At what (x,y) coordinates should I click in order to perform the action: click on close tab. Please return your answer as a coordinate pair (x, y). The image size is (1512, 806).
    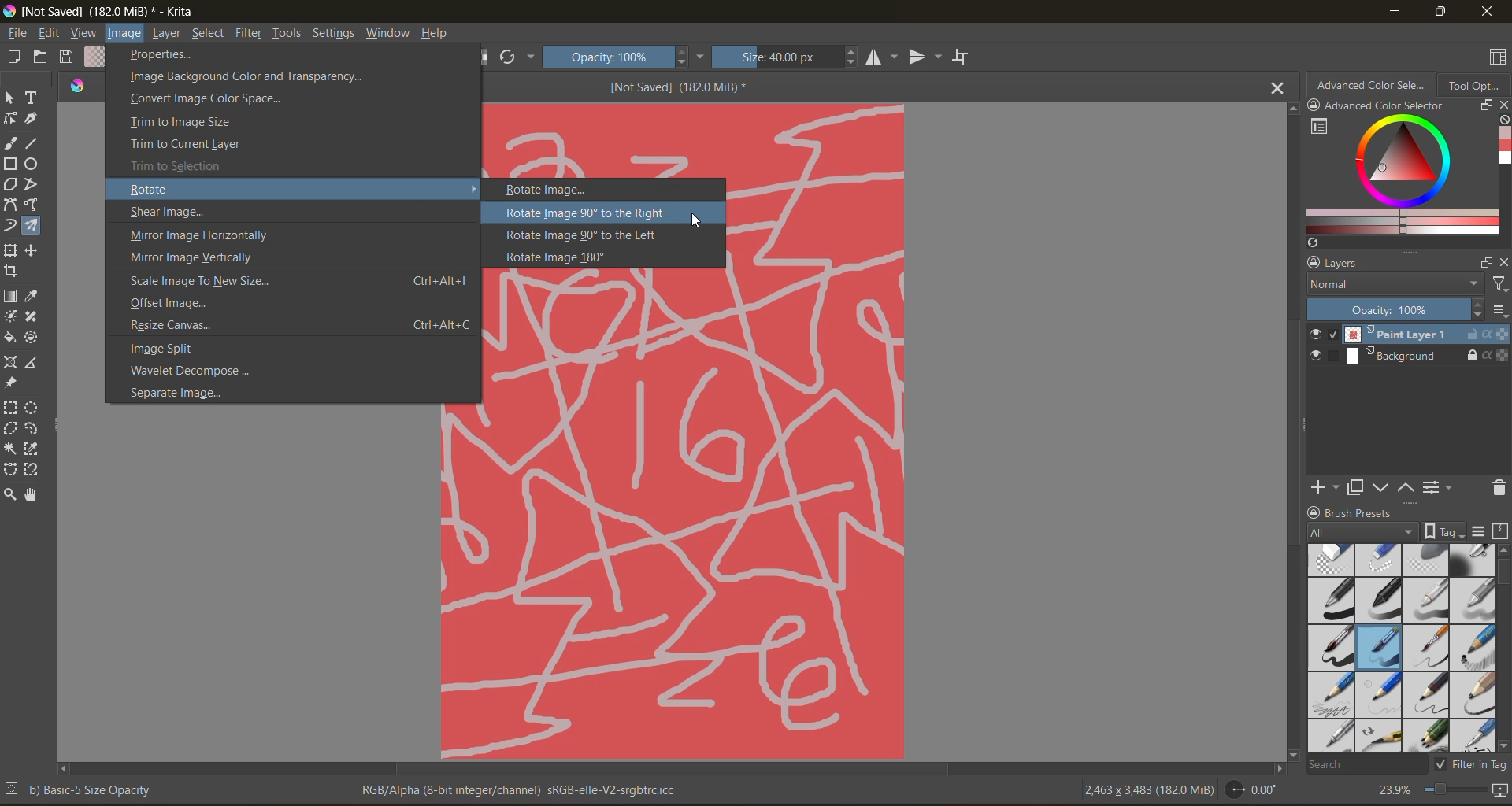
    Looking at the image, I should click on (1276, 91).